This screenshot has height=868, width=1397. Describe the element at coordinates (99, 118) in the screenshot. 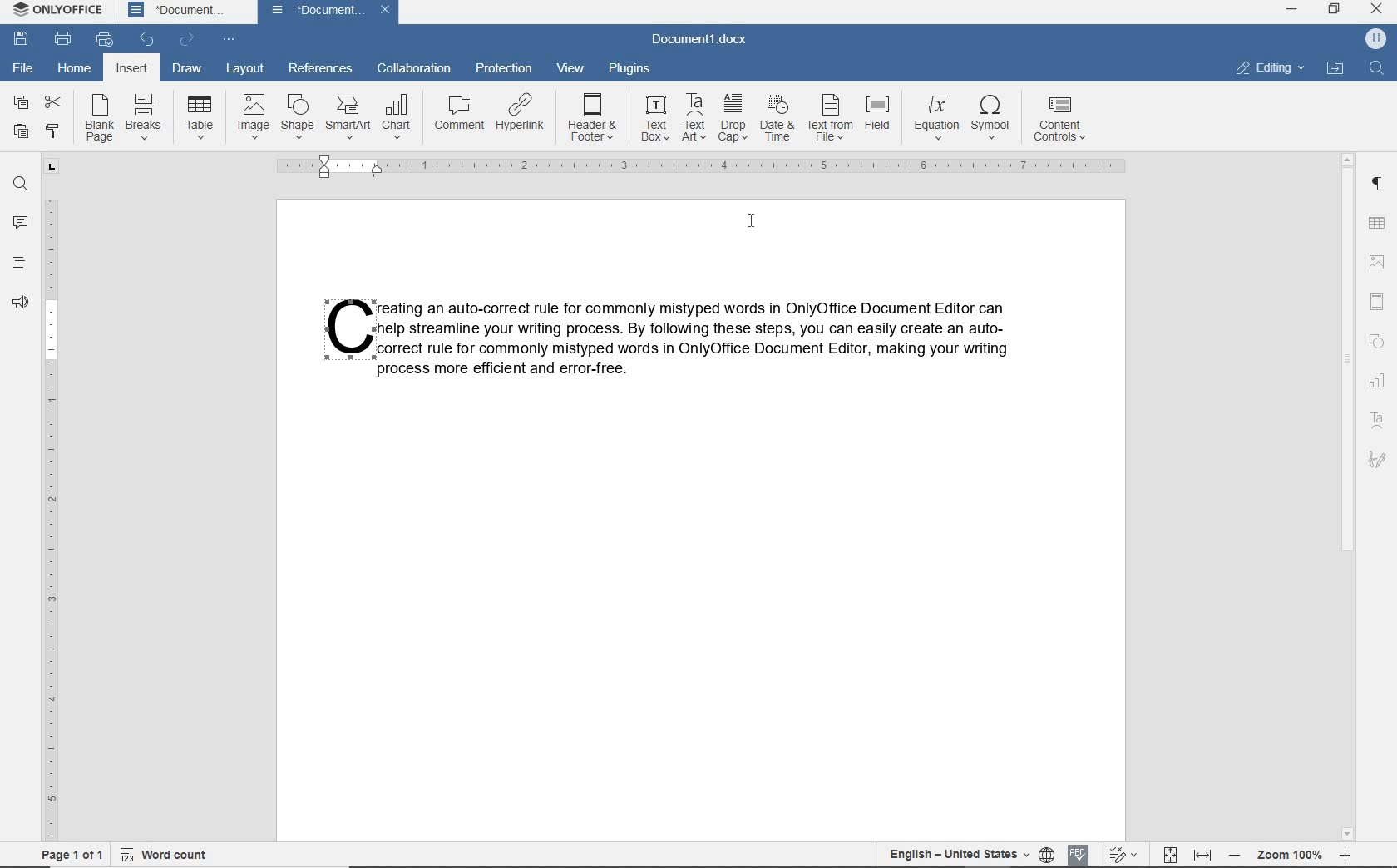

I see `blank page` at that location.